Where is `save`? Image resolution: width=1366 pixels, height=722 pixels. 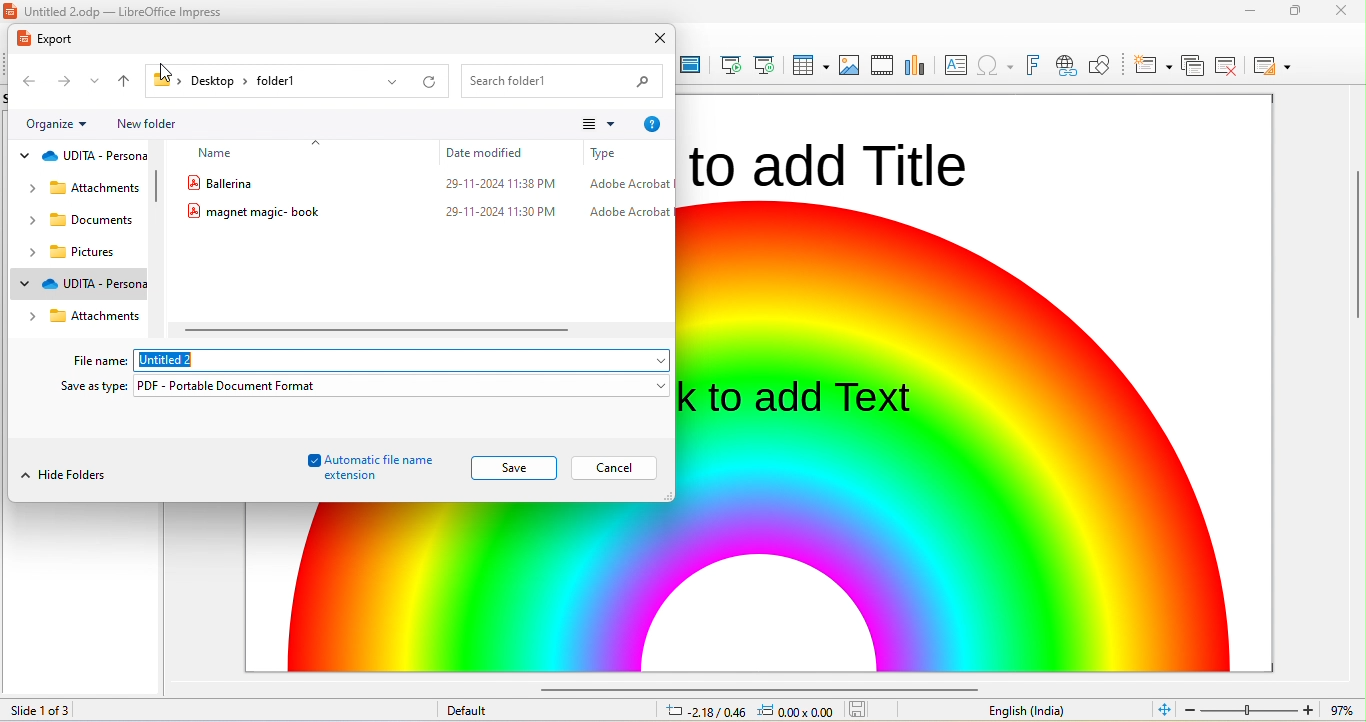
save is located at coordinates (859, 709).